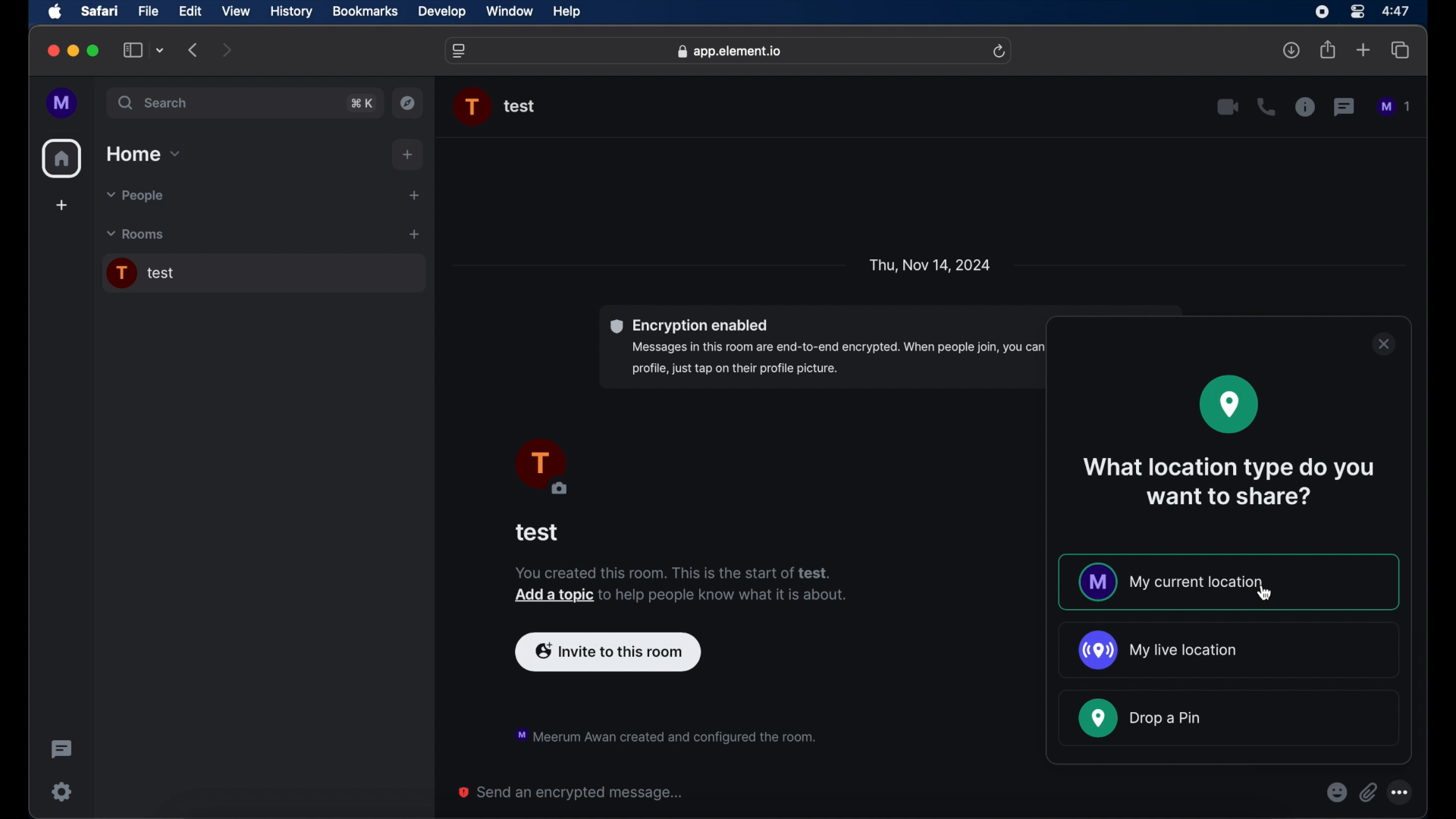 The height and width of the screenshot is (819, 1456). What do you see at coordinates (61, 207) in the screenshot?
I see `add` at bounding box center [61, 207].